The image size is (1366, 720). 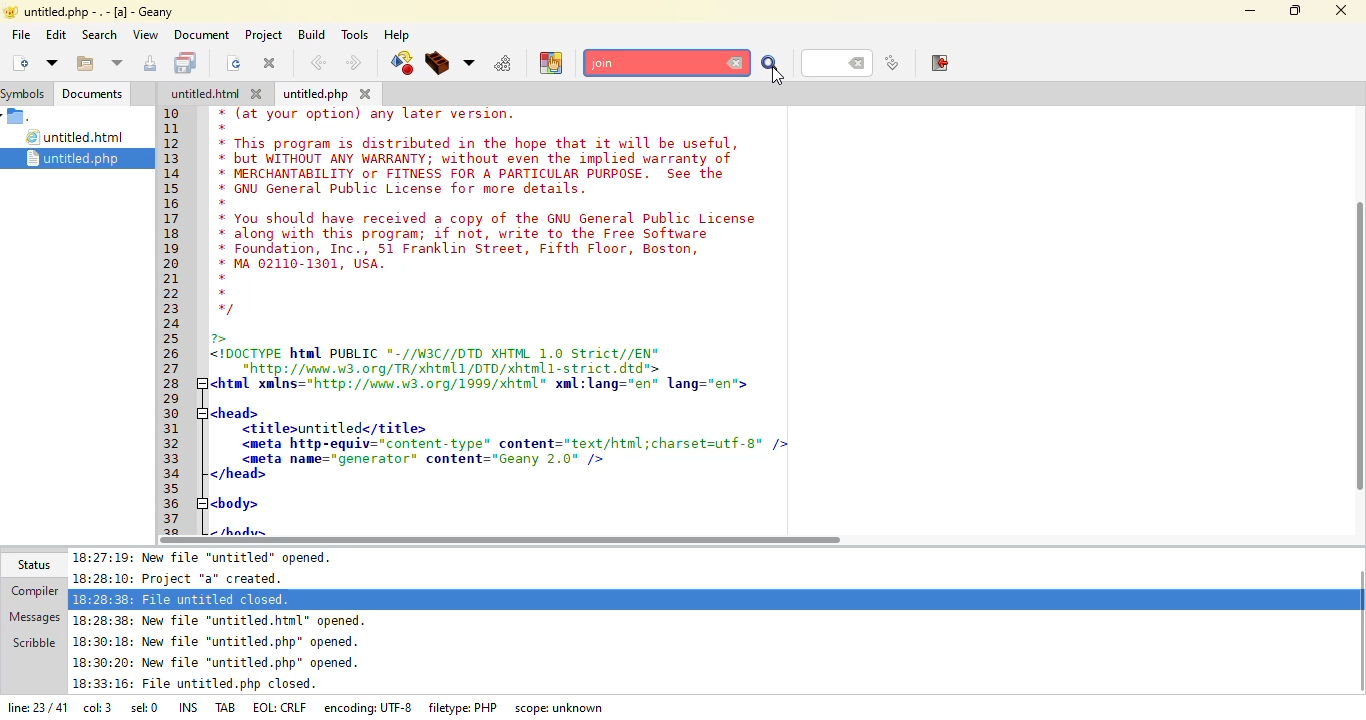 I want to click on * This program is distributed in the hope that it will be usefull, so click(x=476, y=143).